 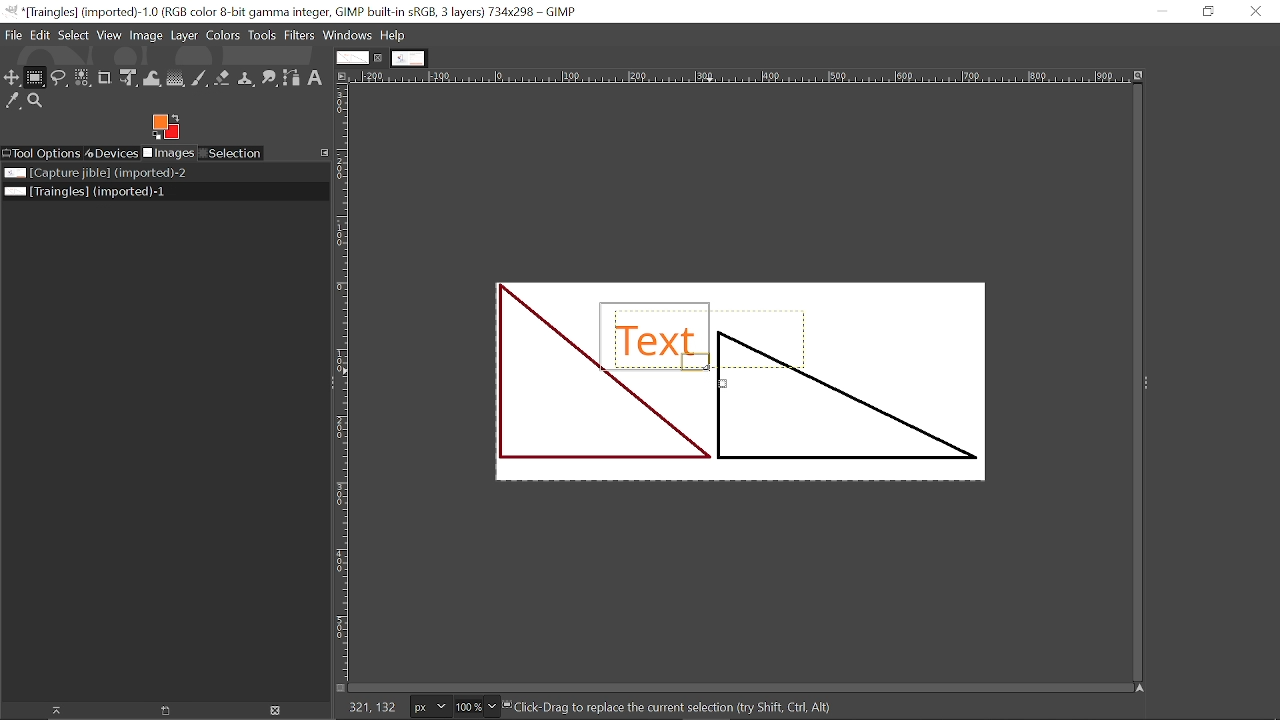 I want to click on Close, so click(x=1254, y=14).